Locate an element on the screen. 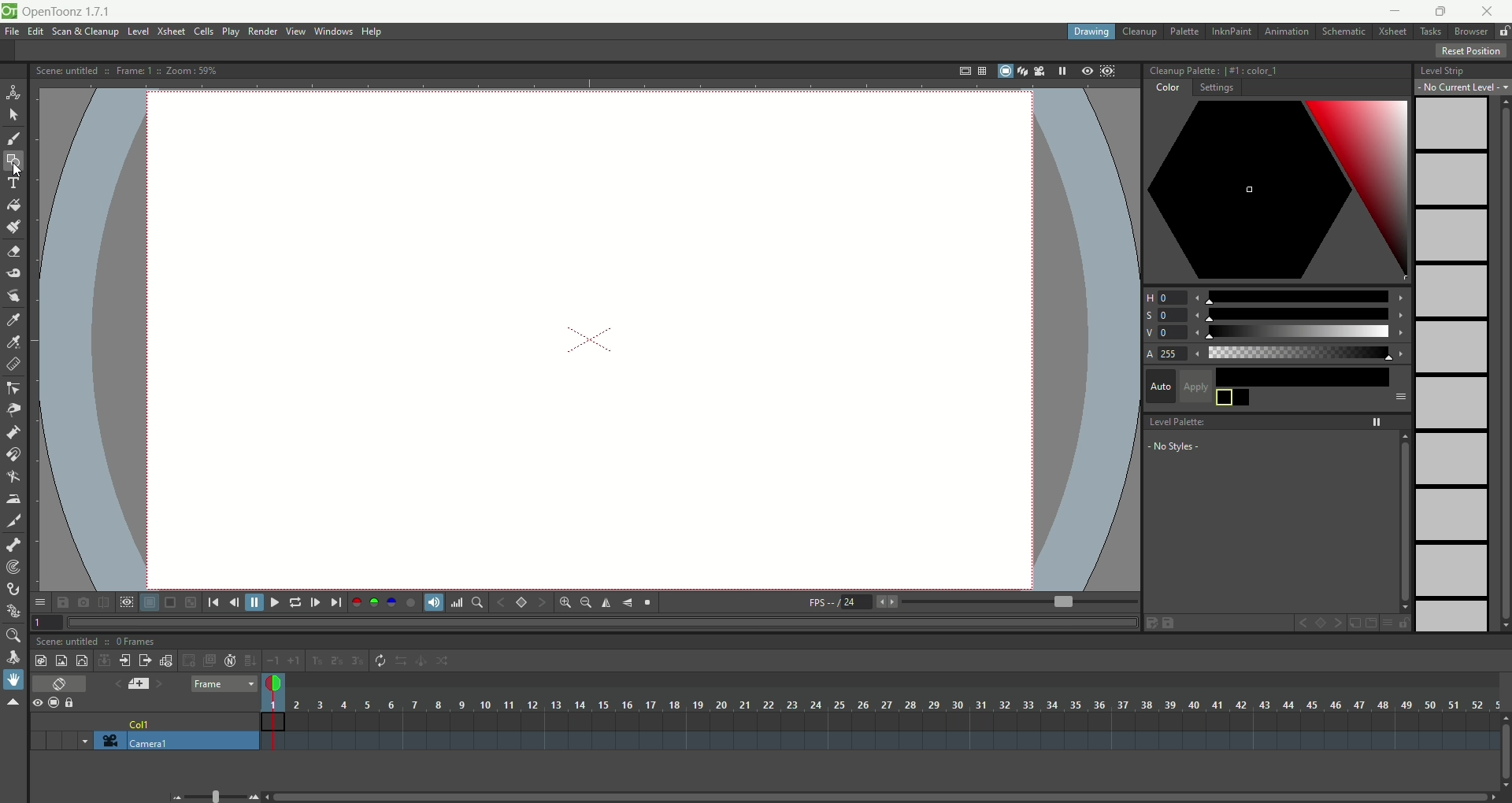  camera1 is located at coordinates (193, 741).